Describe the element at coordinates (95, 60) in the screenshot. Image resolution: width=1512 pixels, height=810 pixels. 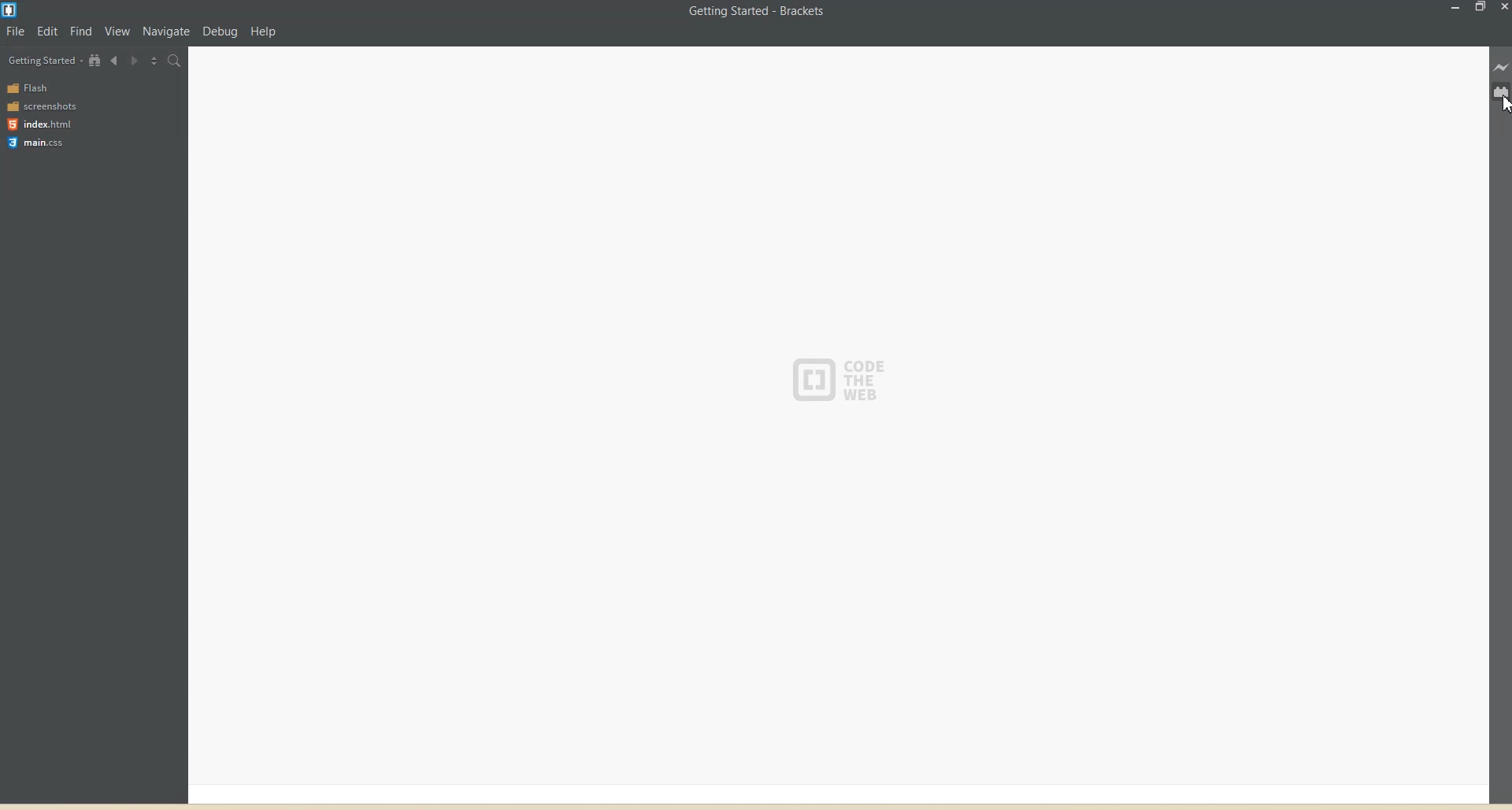
I see `View in file Tree` at that location.